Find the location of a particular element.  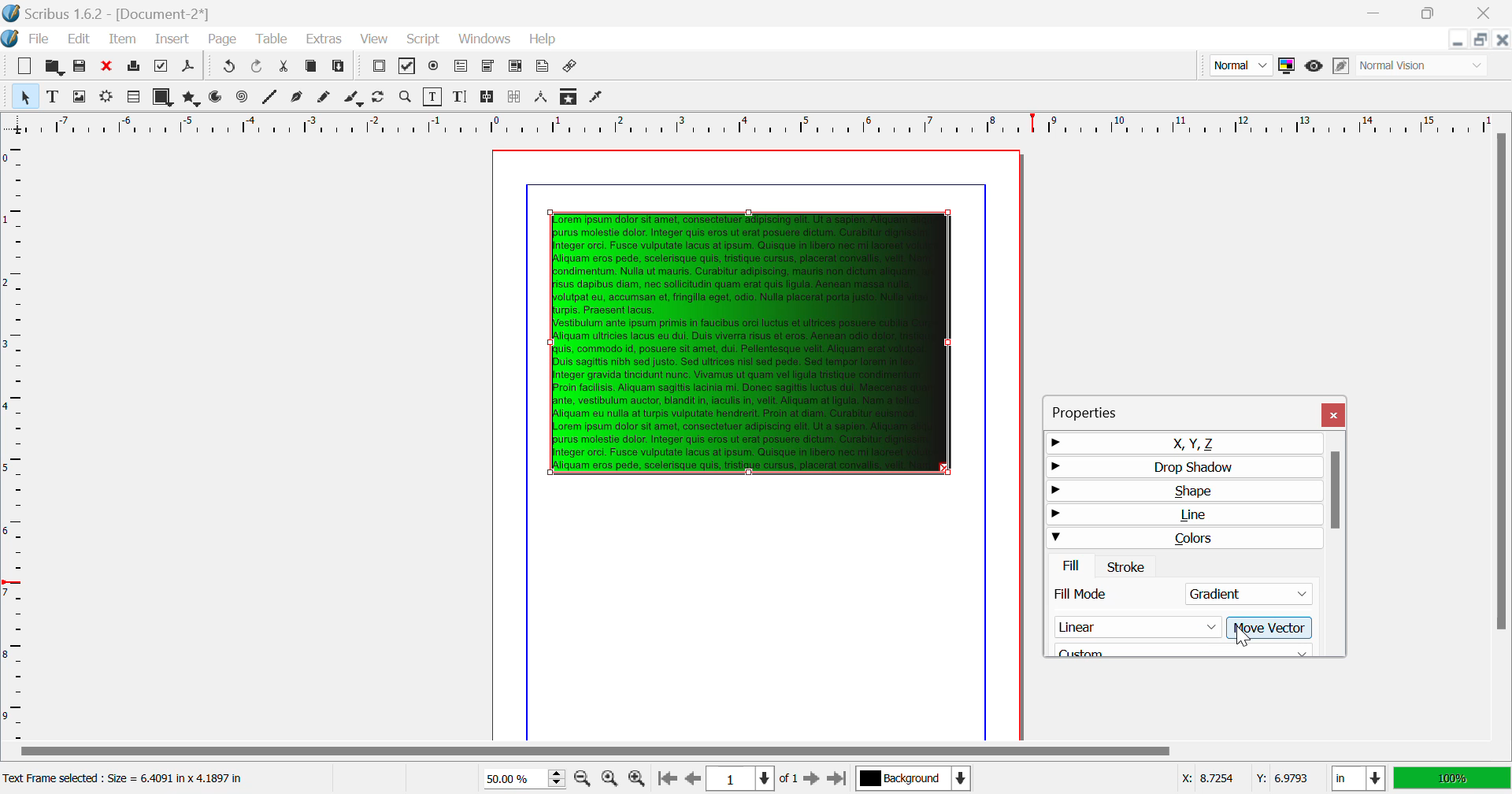

Last Page is located at coordinates (836, 779).